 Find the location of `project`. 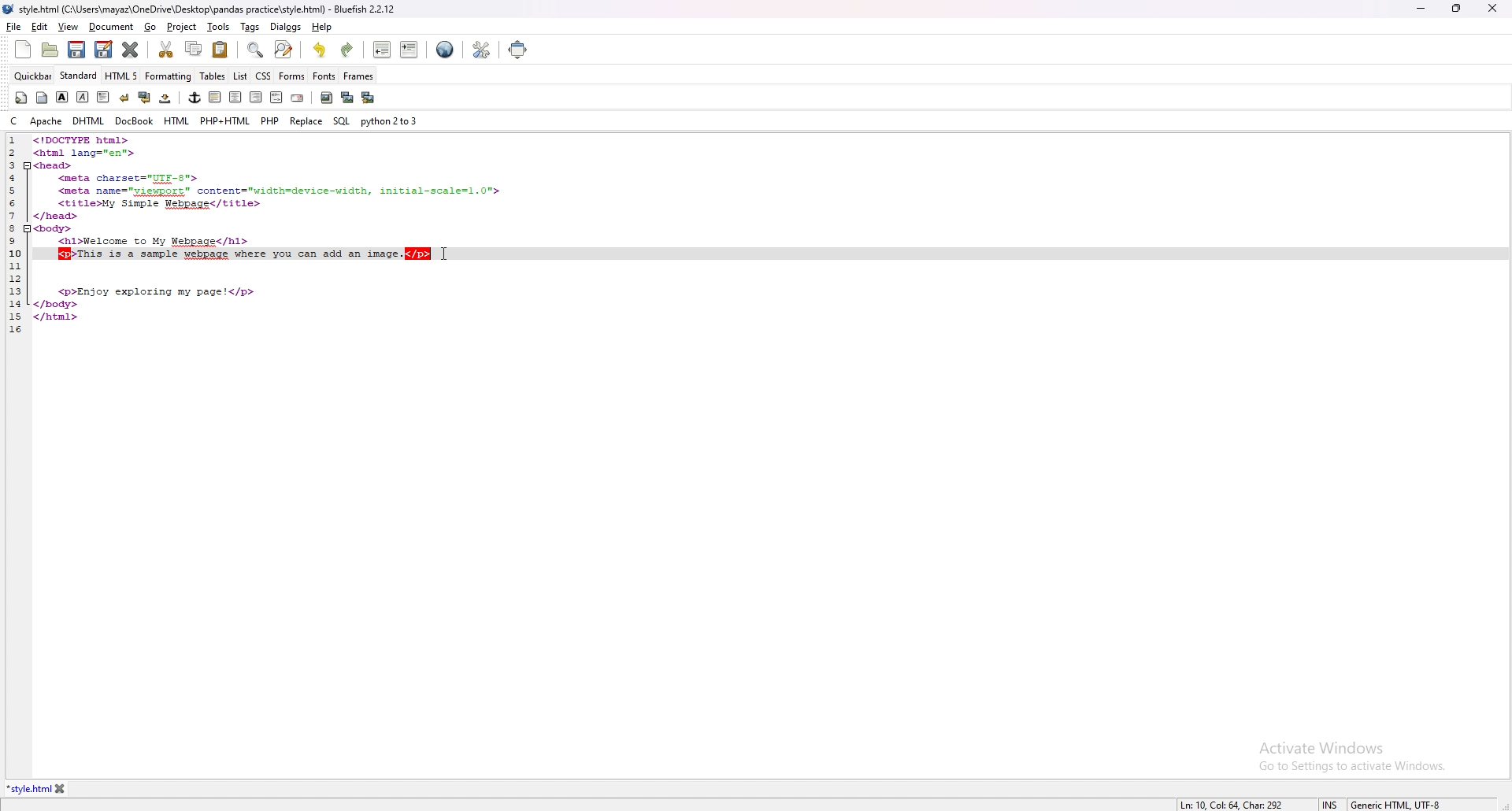

project is located at coordinates (180, 27).